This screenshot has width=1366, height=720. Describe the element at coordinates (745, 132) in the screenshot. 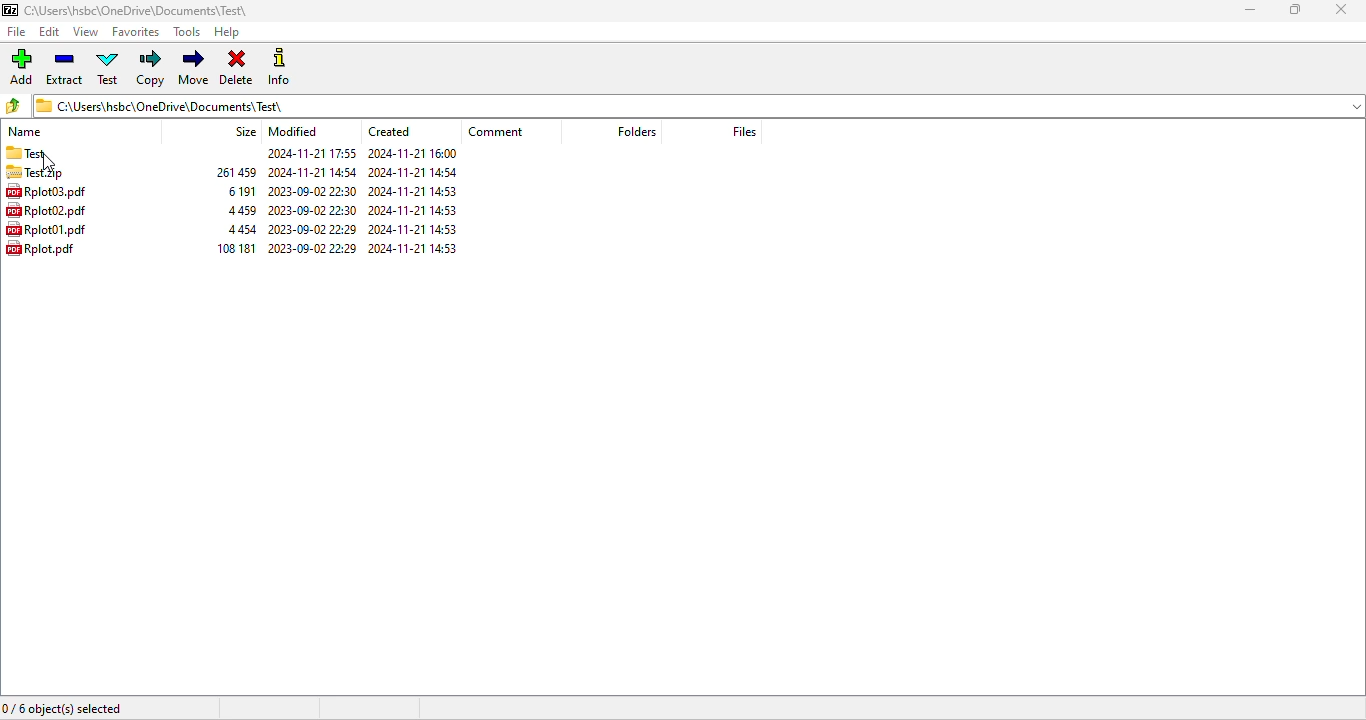

I see `files` at that location.